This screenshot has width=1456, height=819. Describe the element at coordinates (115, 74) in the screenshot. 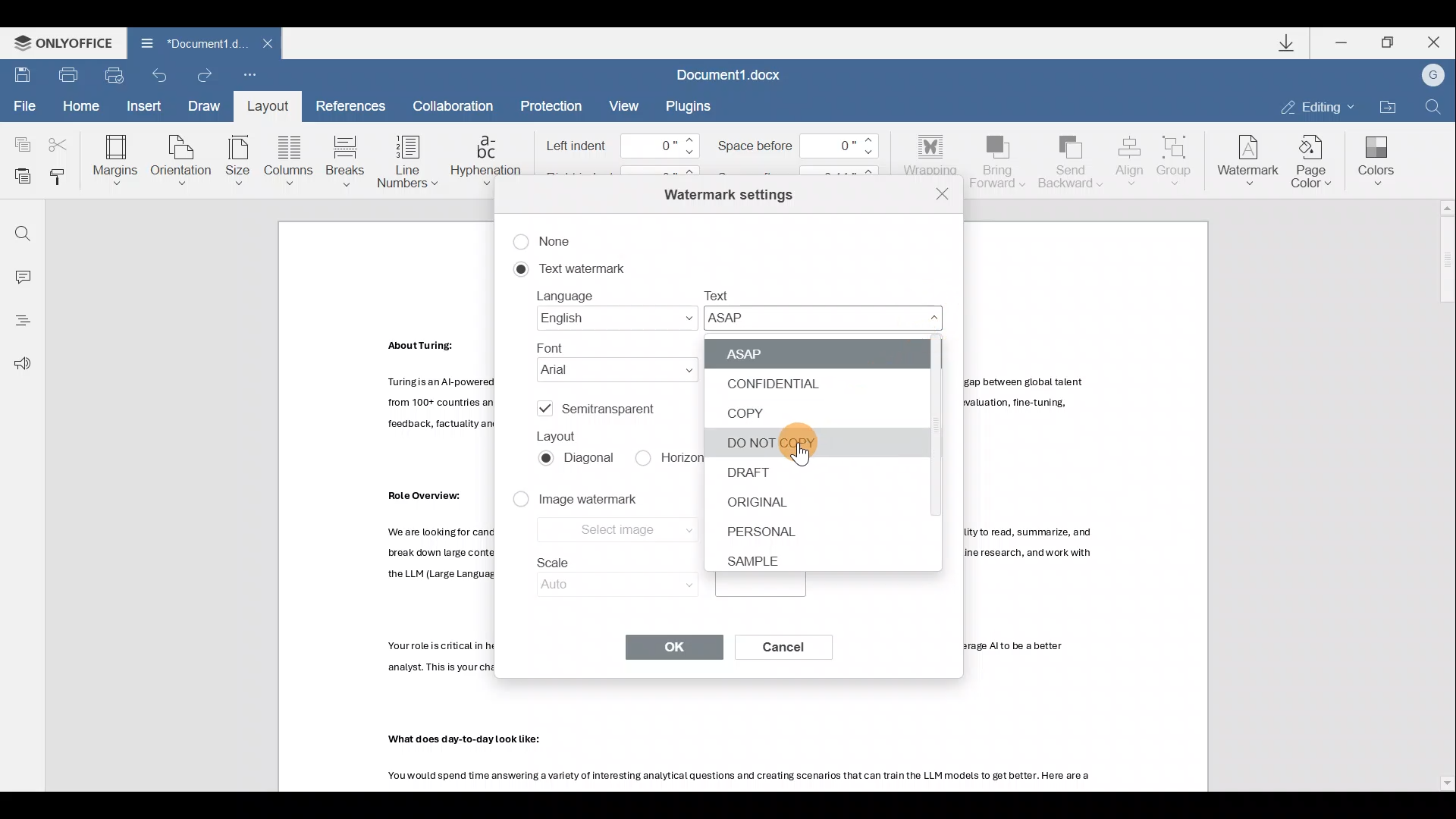

I see `Quick print` at that location.